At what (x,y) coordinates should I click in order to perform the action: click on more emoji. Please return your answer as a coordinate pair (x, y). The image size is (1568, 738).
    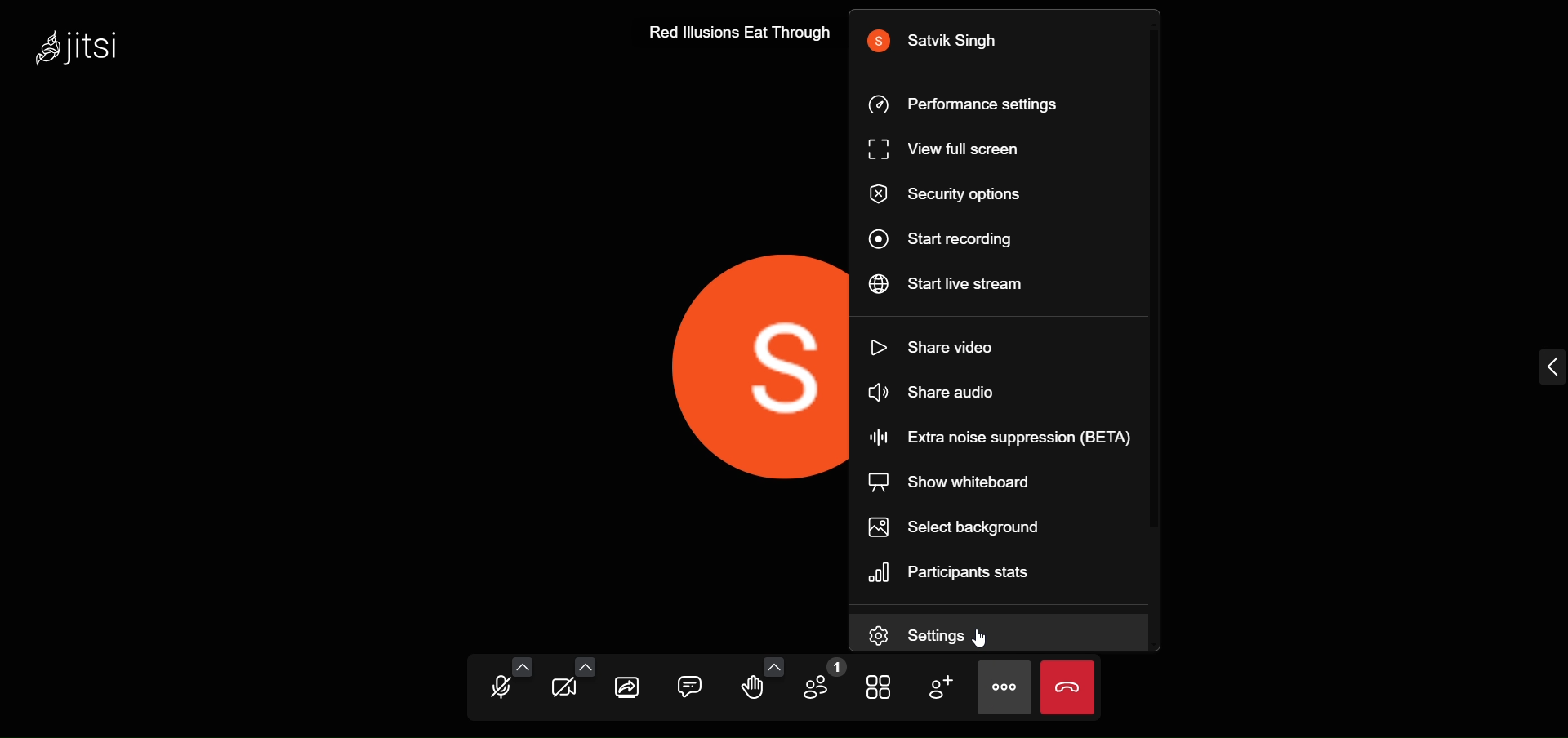
    Looking at the image, I should click on (774, 667).